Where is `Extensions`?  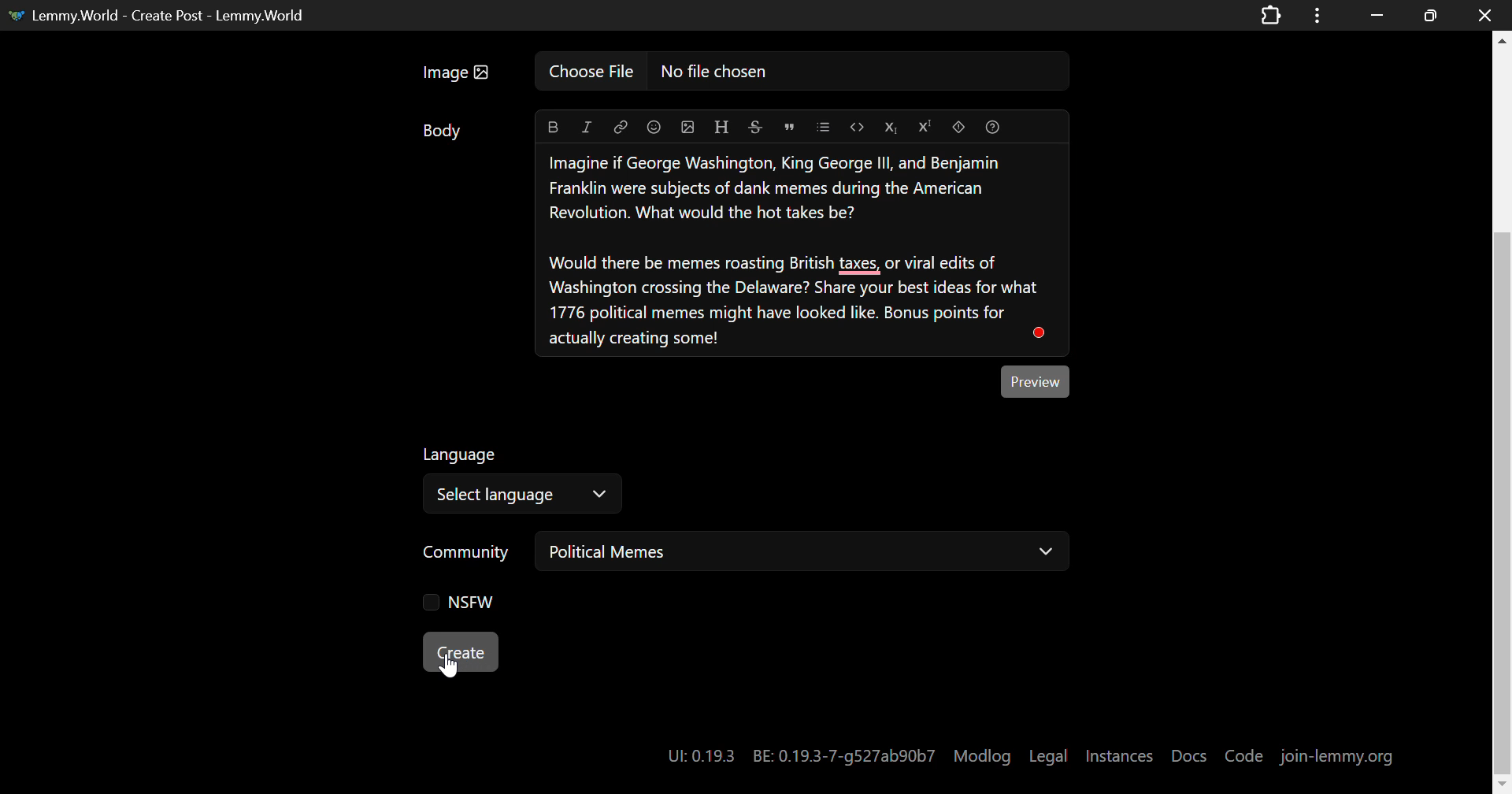 Extensions is located at coordinates (1272, 14).